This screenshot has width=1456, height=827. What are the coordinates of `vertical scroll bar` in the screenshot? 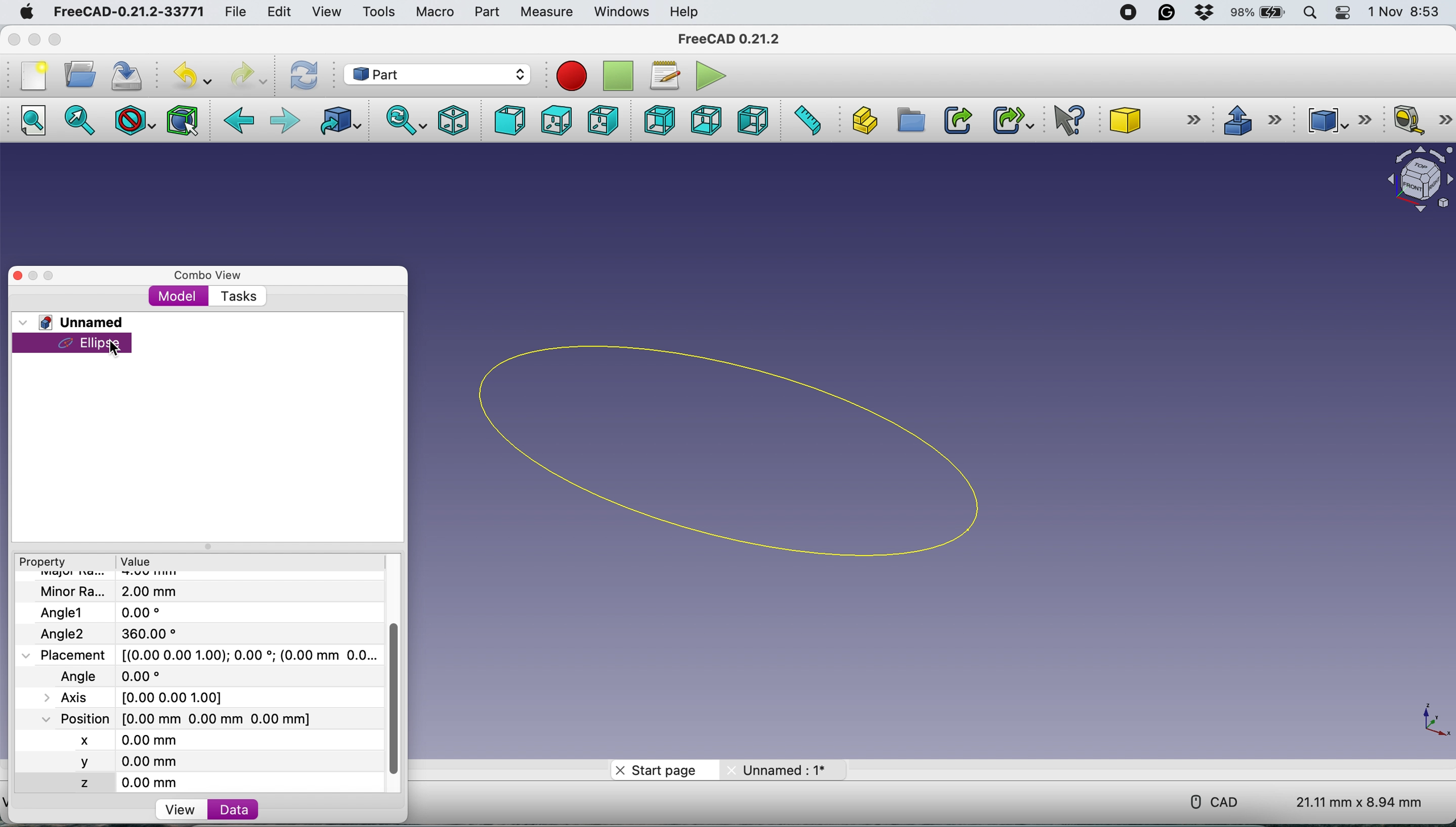 It's located at (396, 697).